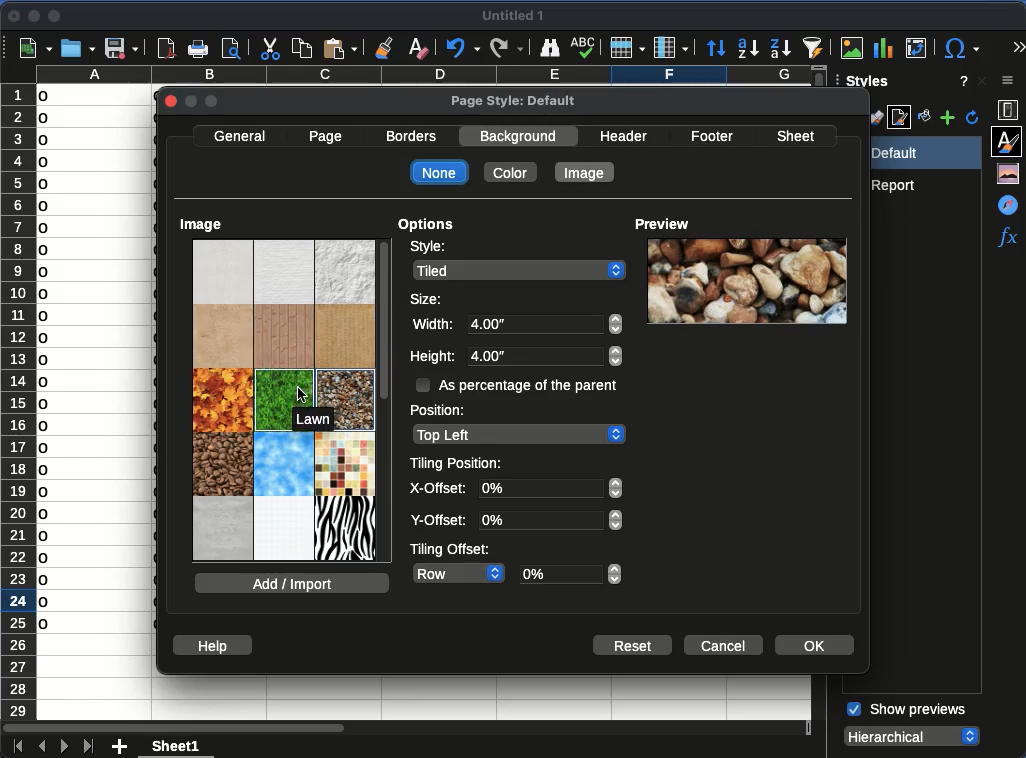  Describe the element at coordinates (521, 270) in the screenshot. I see `tiled` at that location.